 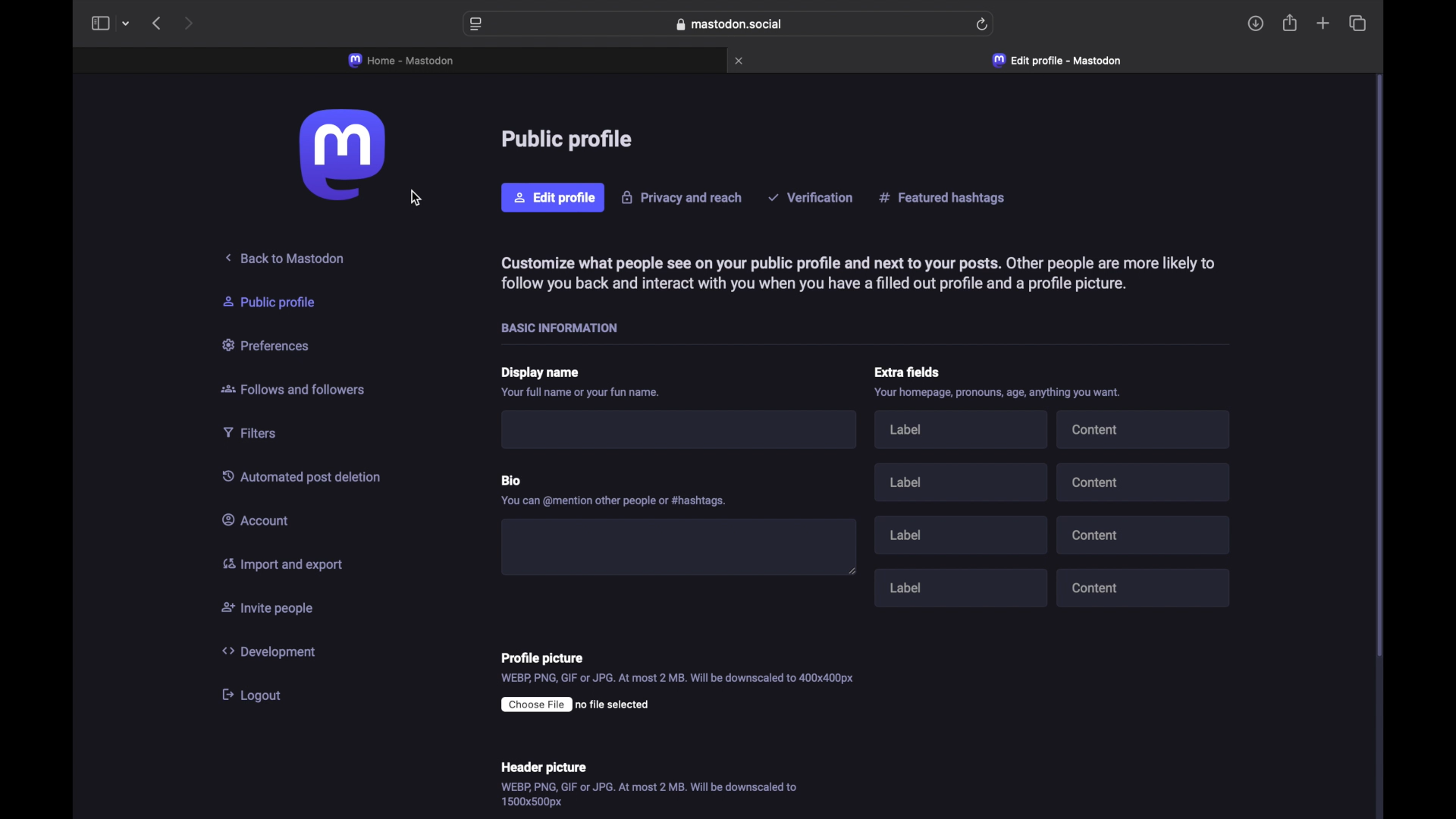 I want to click on public profile, so click(x=568, y=140).